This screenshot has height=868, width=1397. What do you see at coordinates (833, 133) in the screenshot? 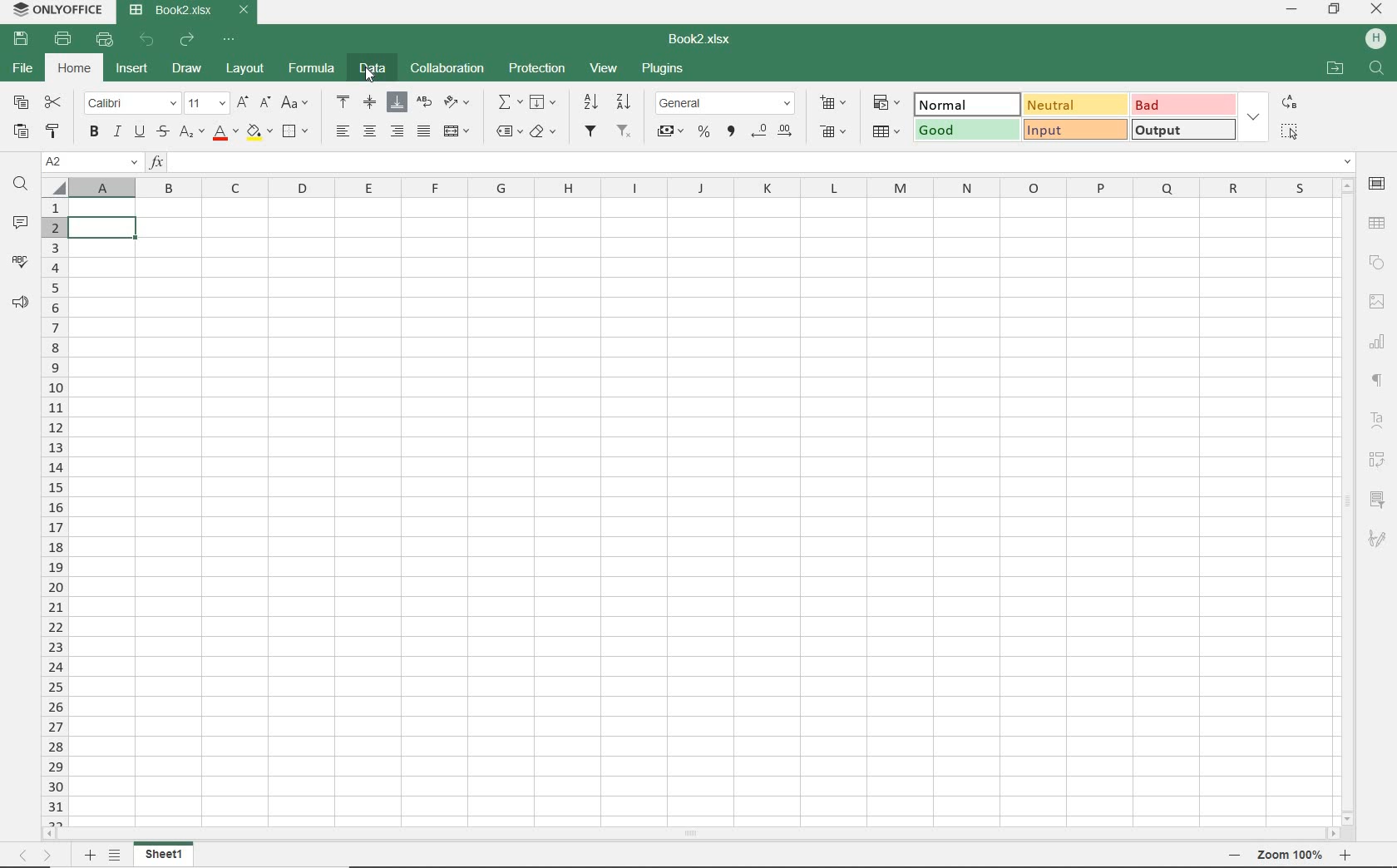
I see `DELETE CELLS` at bounding box center [833, 133].